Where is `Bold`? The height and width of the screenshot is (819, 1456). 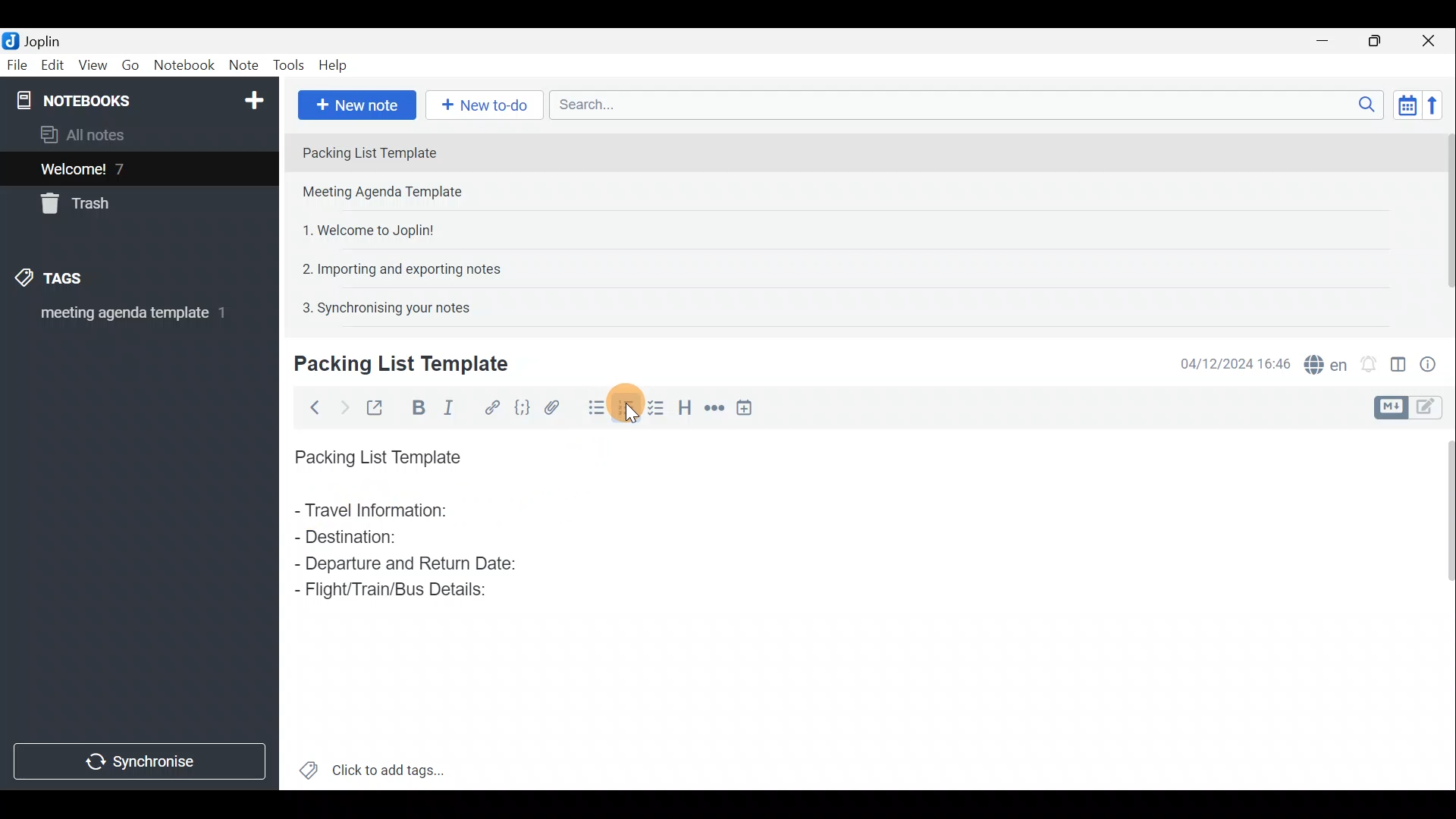
Bold is located at coordinates (416, 406).